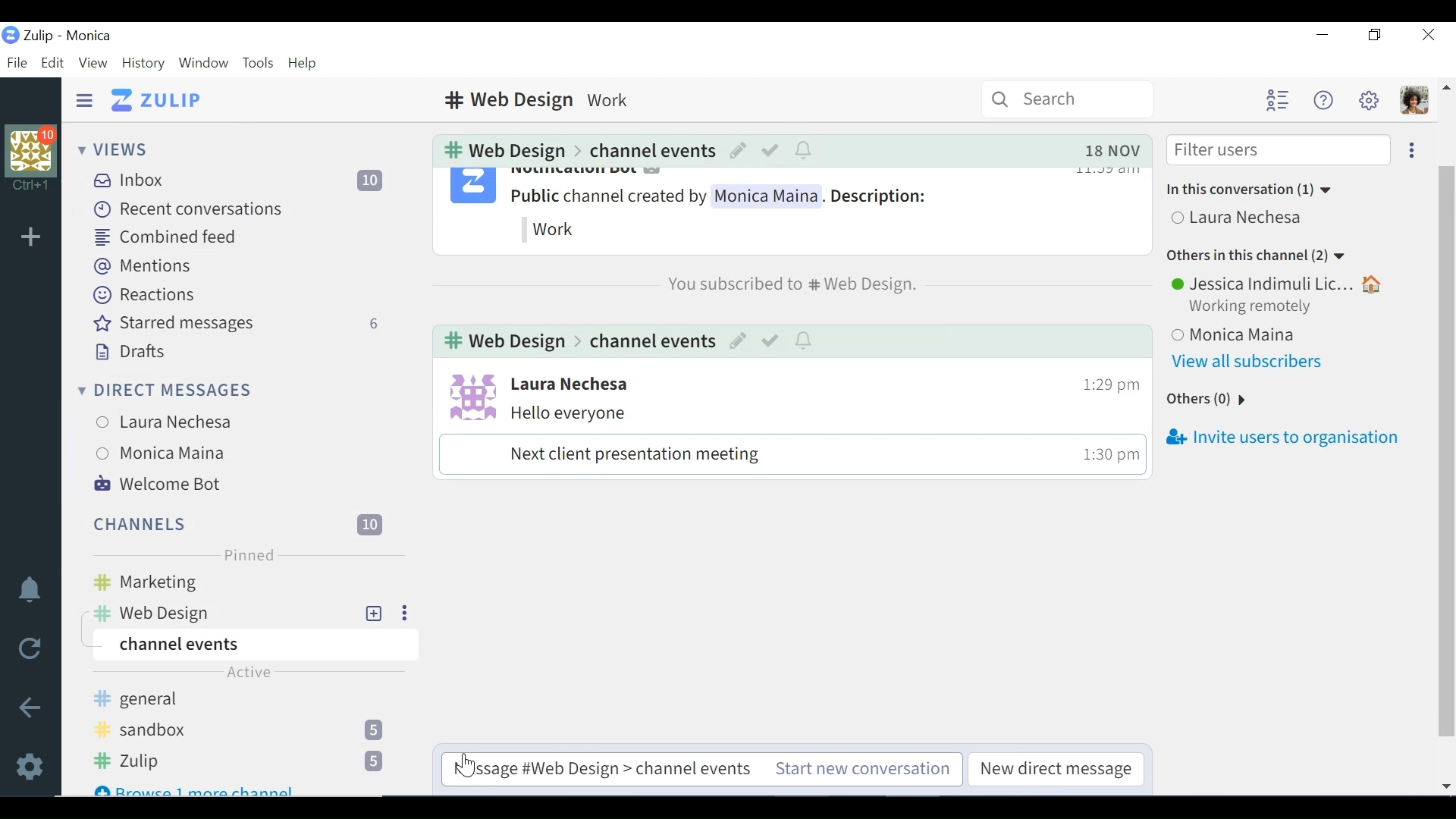  What do you see at coordinates (143, 63) in the screenshot?
I see `History` at bounding box center [143, 63].